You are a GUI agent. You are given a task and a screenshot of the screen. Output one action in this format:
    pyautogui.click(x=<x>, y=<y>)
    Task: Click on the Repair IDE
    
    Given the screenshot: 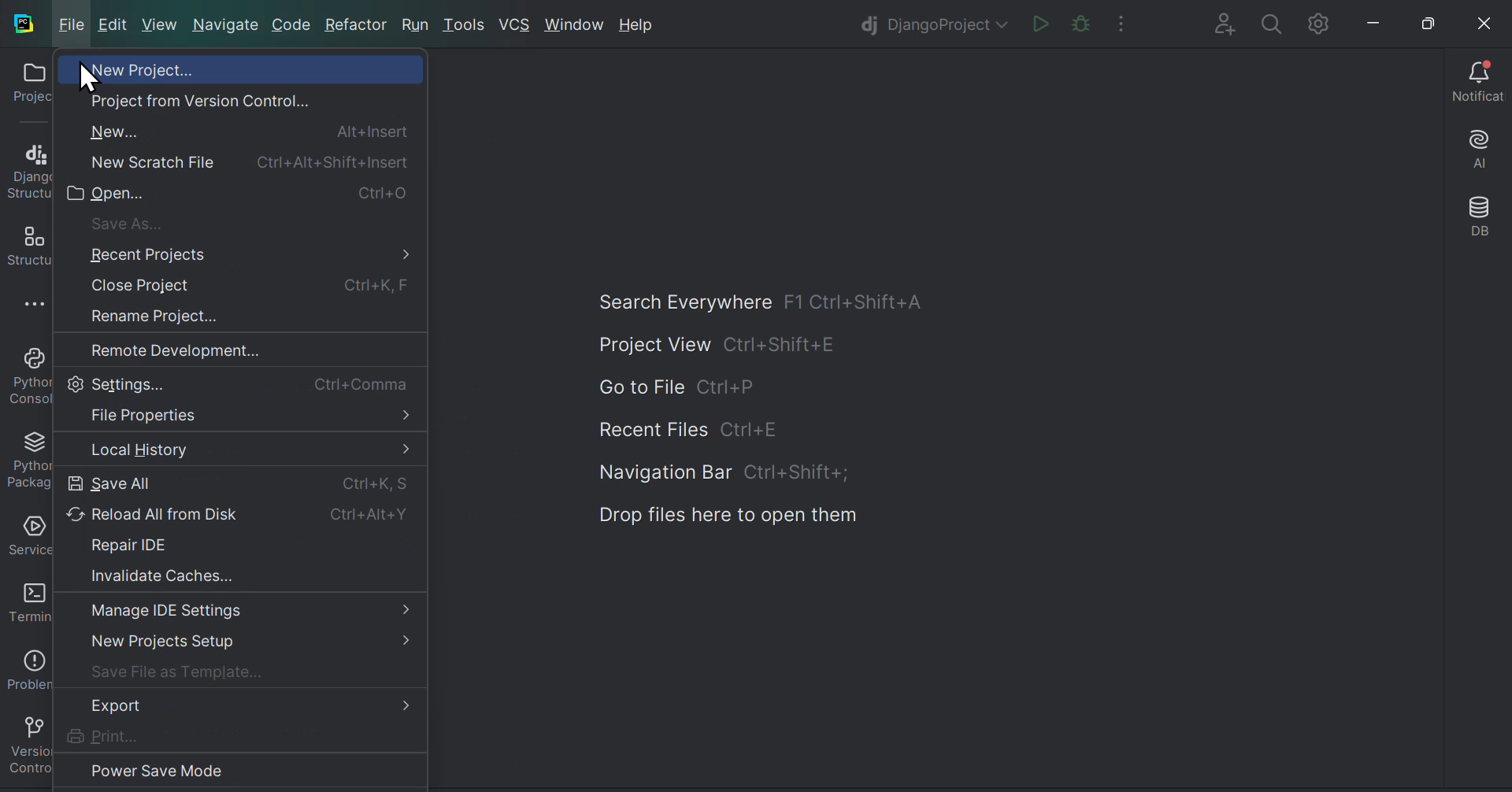 What is the action you would take?
    pyautogui.click(x=139, y=544)
    